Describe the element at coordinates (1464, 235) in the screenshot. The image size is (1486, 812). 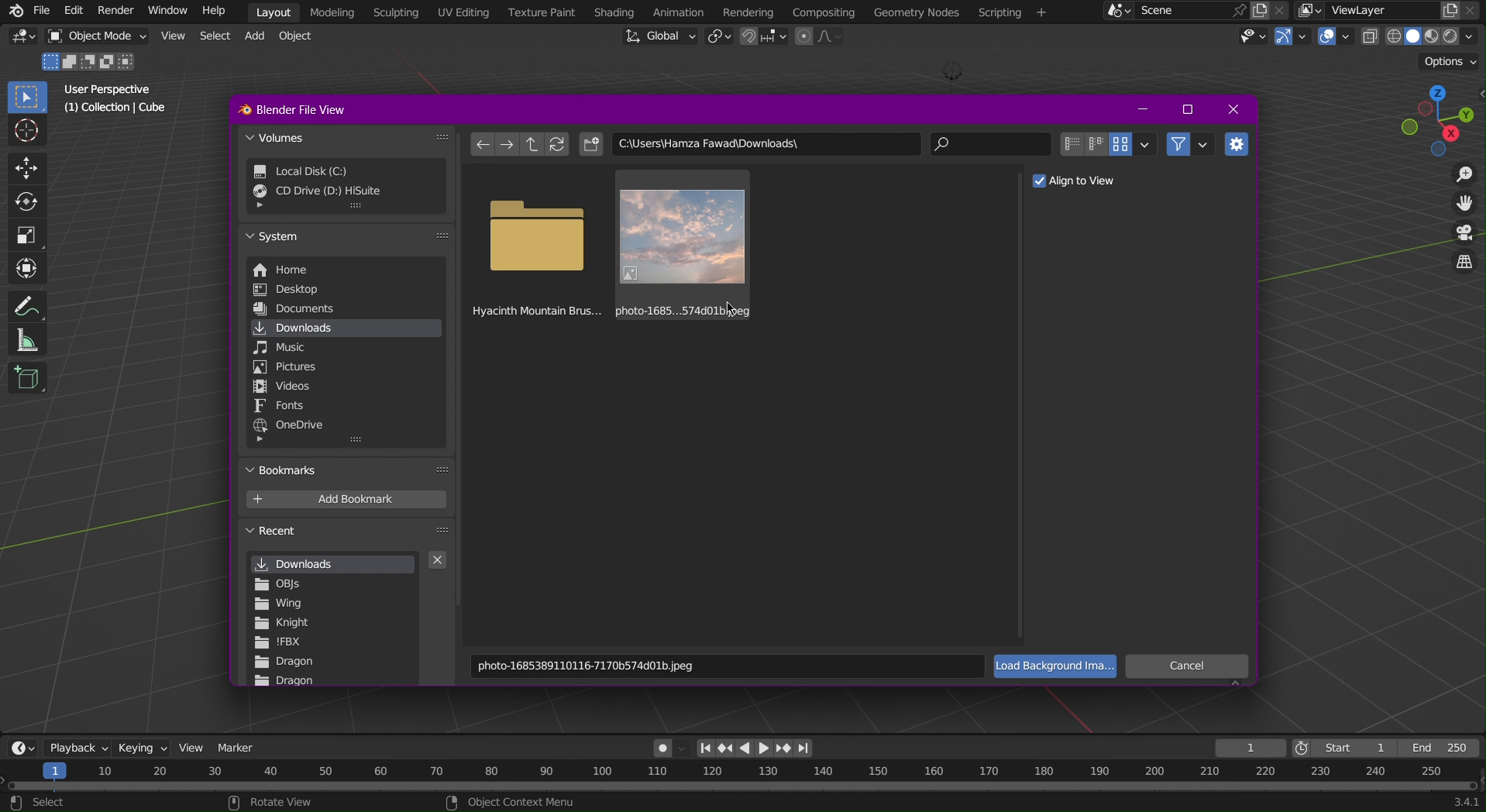
I see `Camera View` at that location.